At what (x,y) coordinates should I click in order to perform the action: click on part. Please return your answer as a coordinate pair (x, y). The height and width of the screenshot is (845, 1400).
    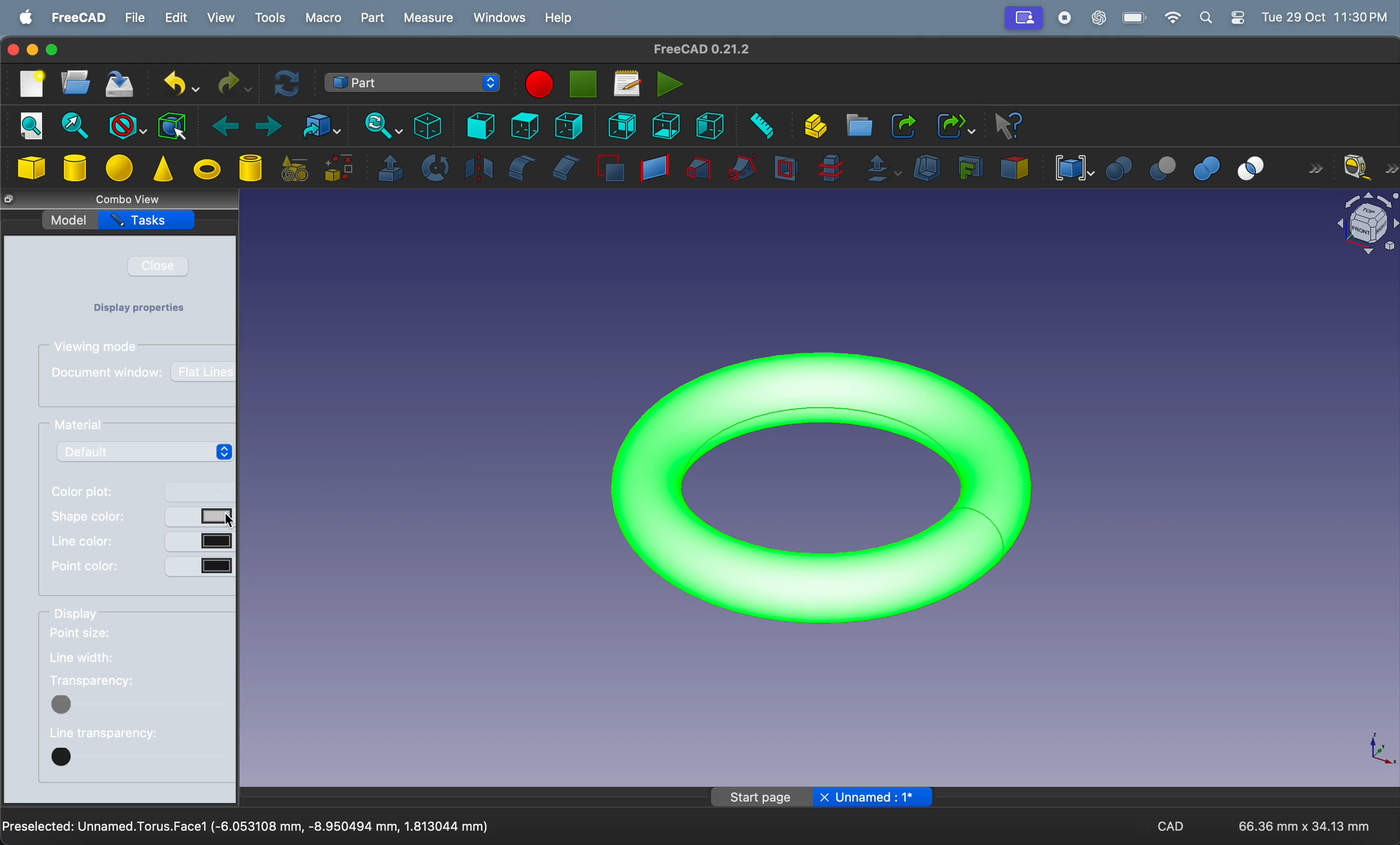
    Looking at the image, I should click on (373, 18).